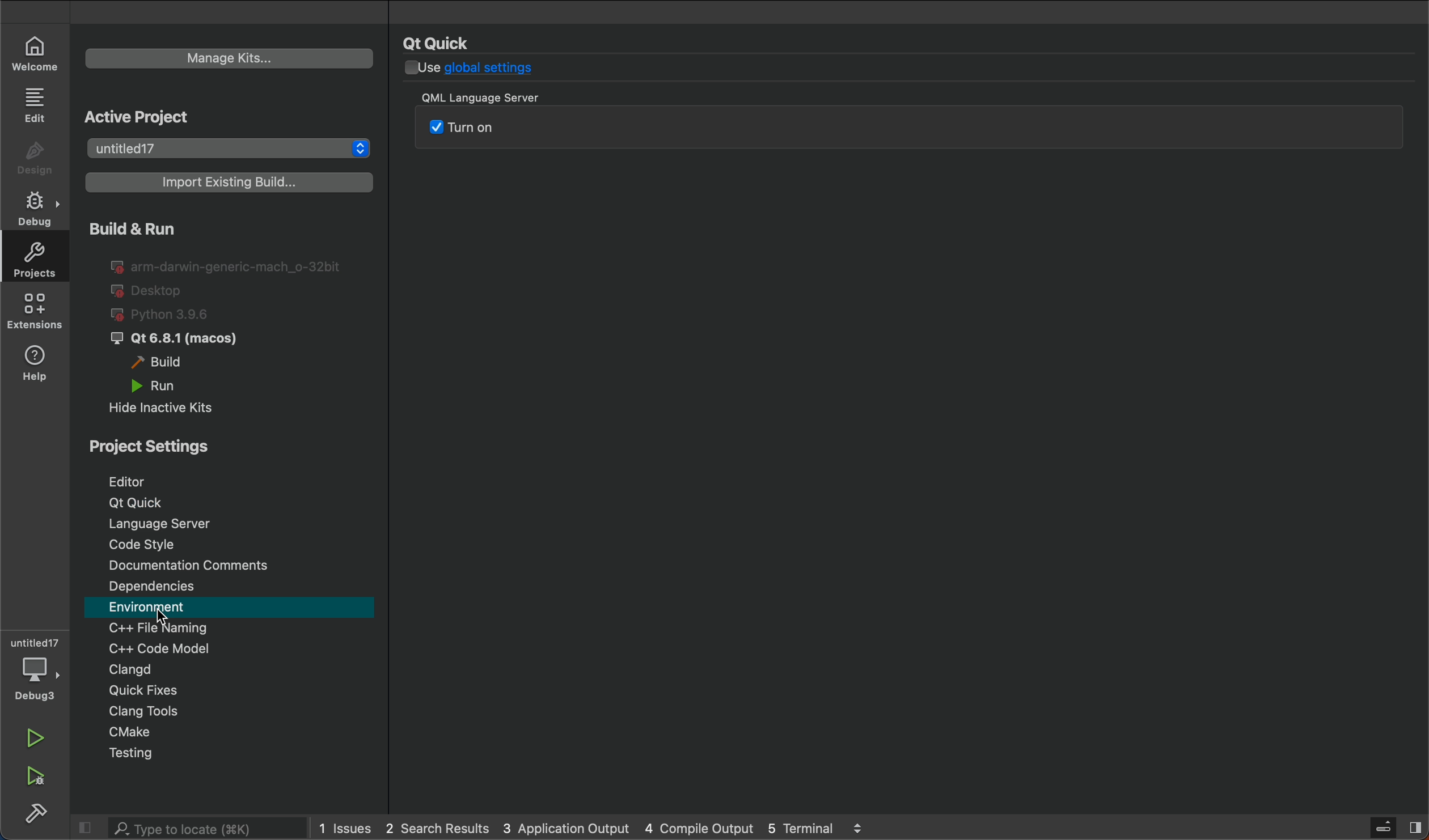 This screenshot has width=1429, height=840. Describe the element at coordinates (1390, 827) in the screenshot. I see `toggle sidebar` at that location.